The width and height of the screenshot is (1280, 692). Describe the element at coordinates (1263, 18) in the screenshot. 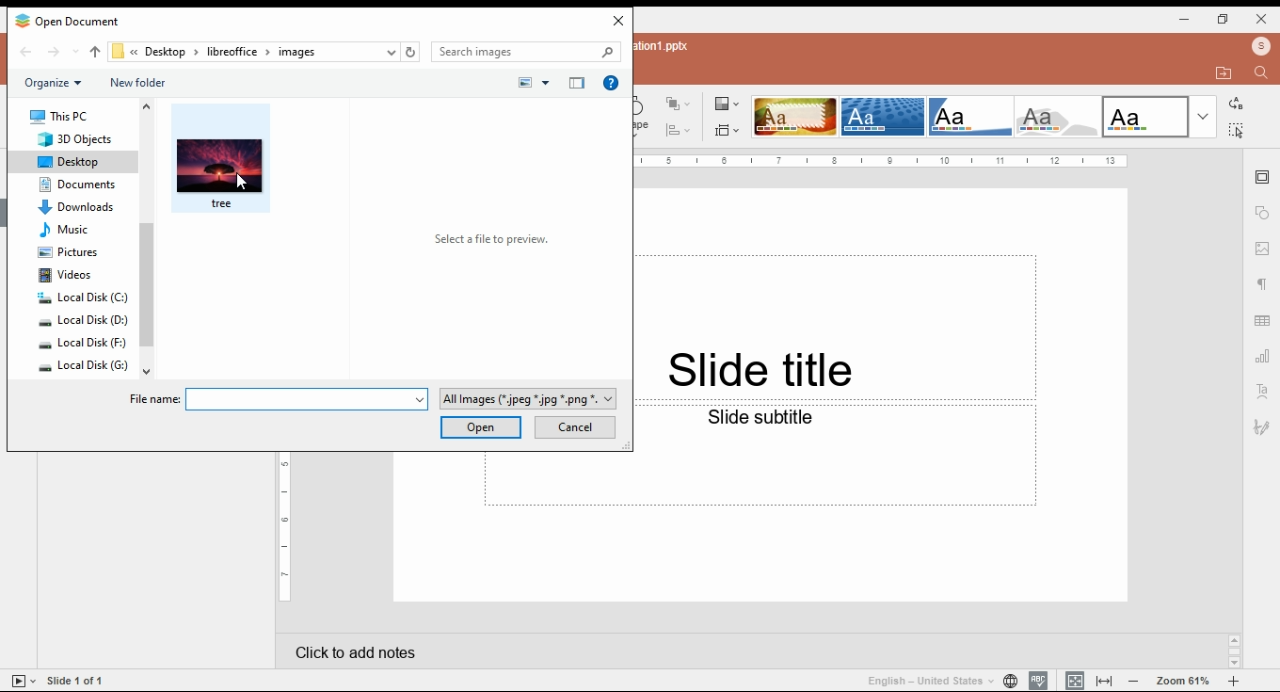

I see `close window` at that location.